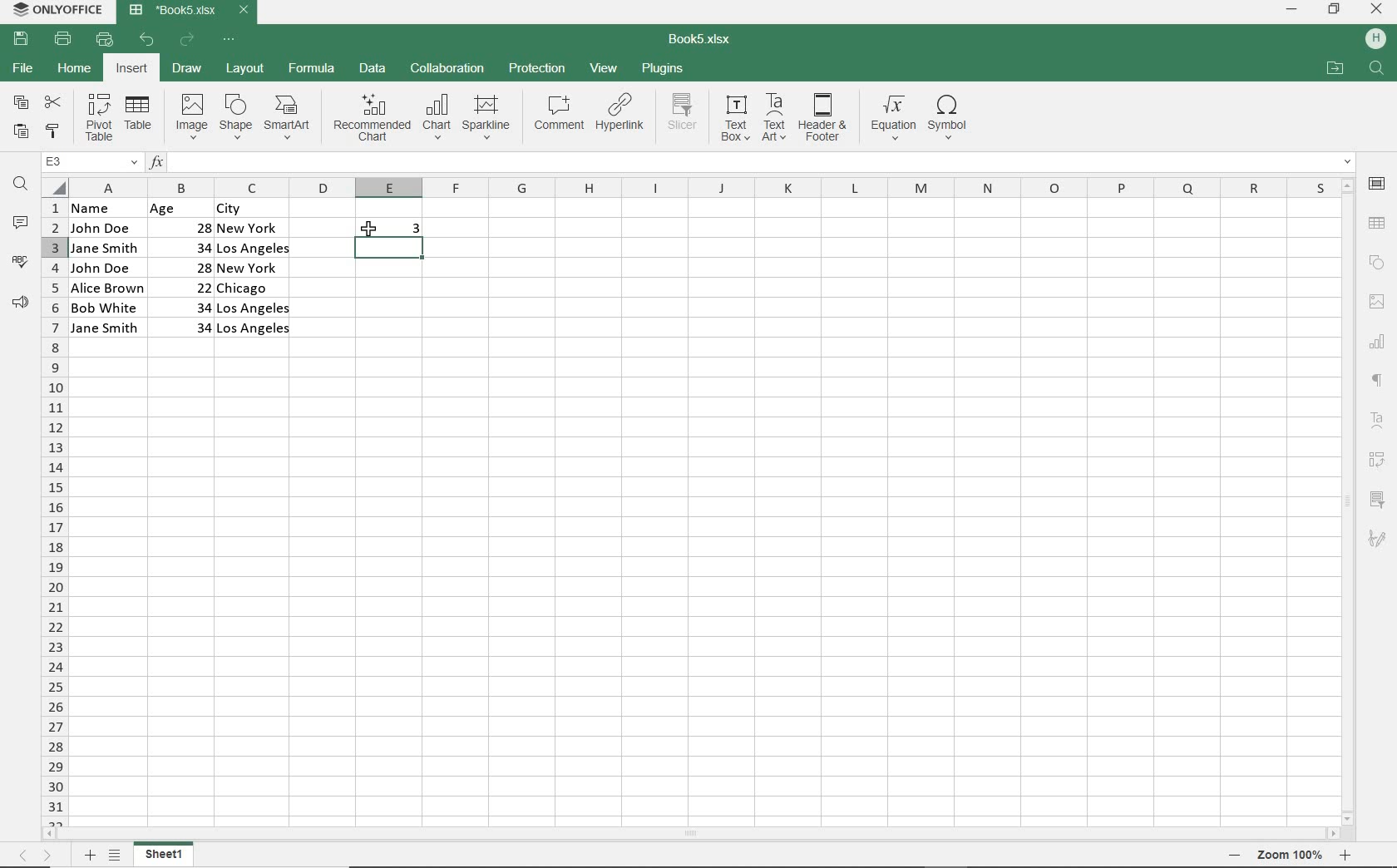 The image size is (1397, 868). Describe the element at coordinates (371, 229) in the screenshot. I see `CURSOR` at that location.